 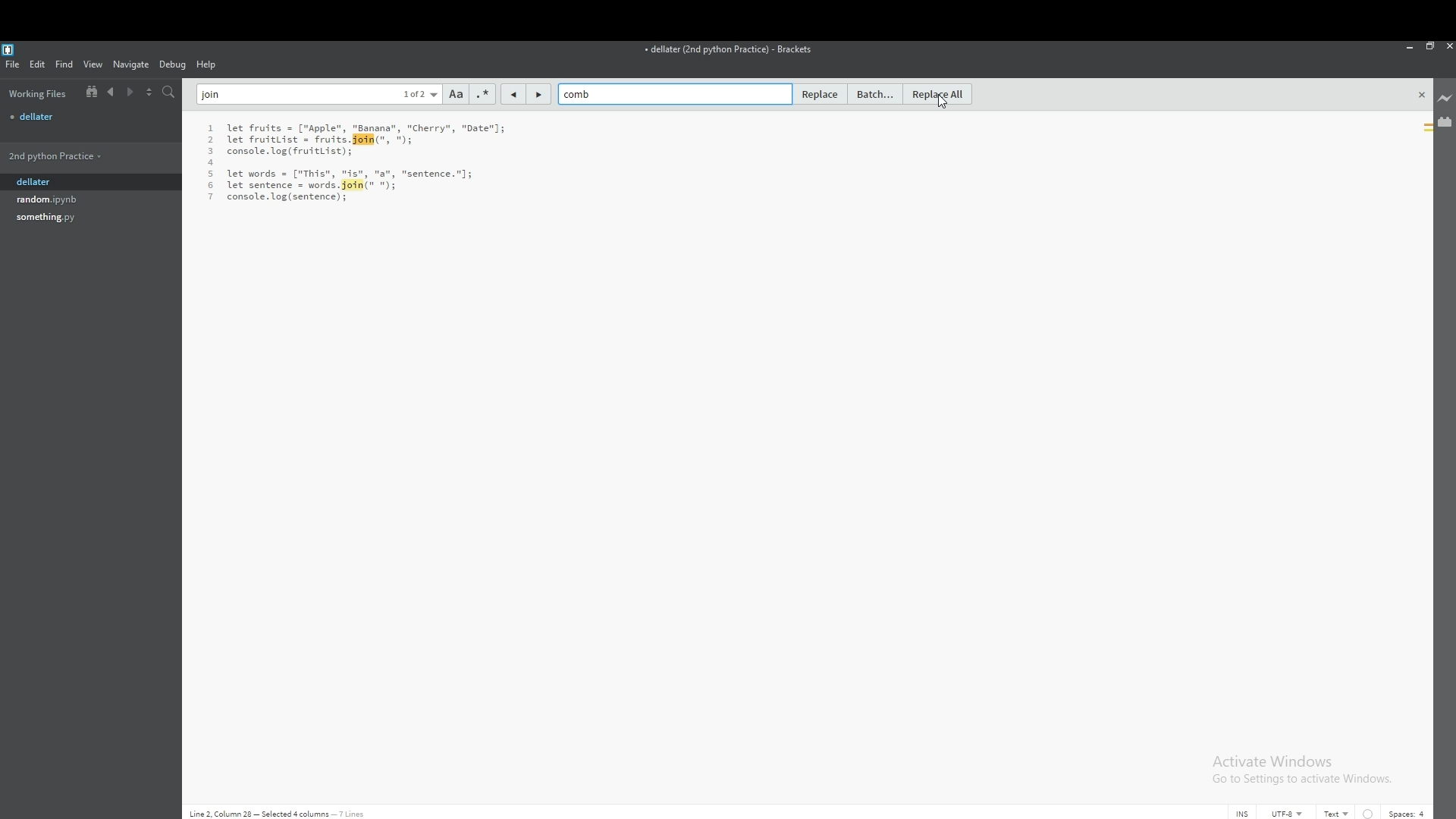 I want to click on encoding, so click(x=1287, y=813).